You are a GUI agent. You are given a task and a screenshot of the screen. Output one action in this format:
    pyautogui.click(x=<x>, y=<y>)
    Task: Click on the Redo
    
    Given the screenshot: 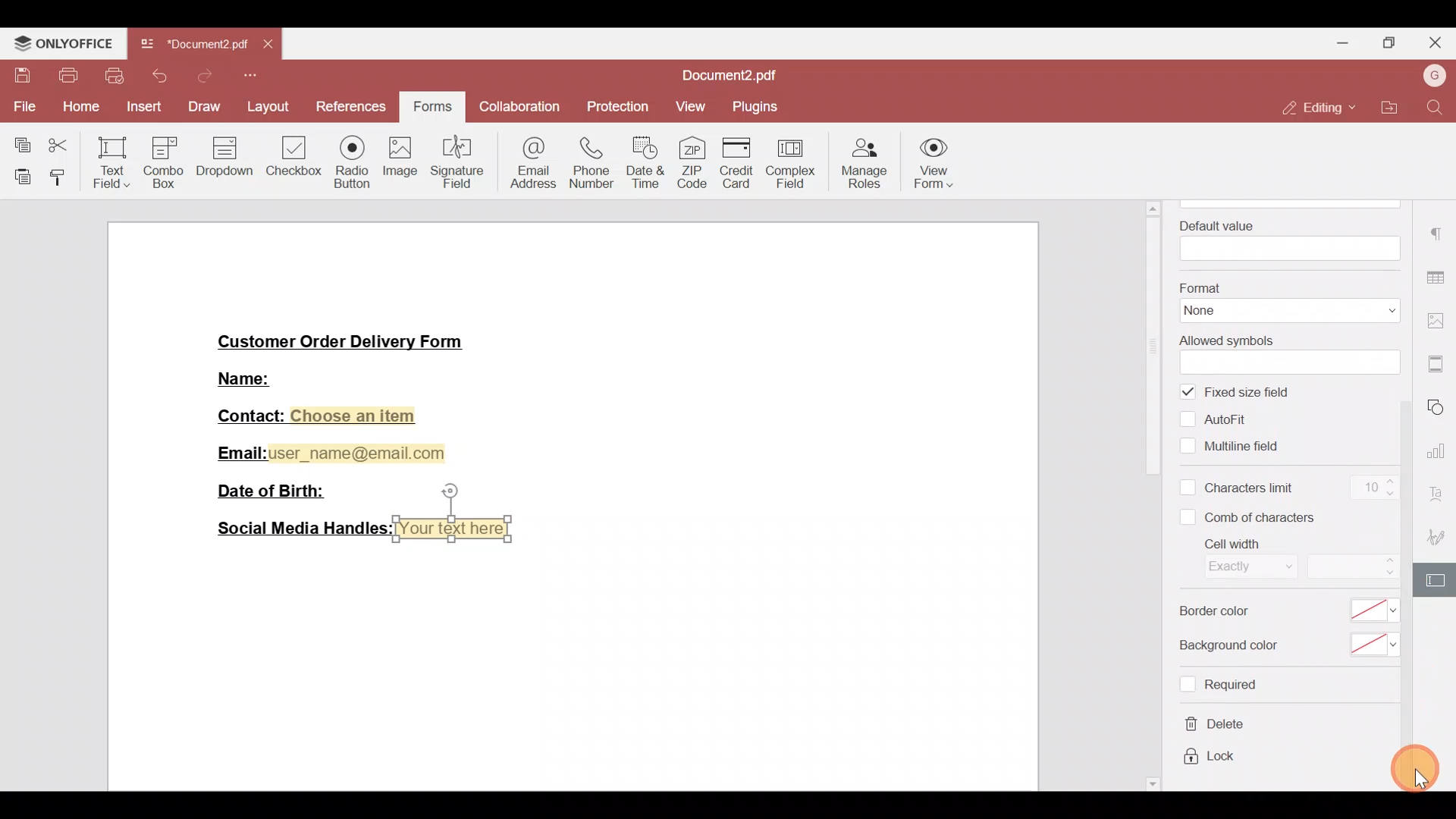 What is the action you would take?
    pyautogui.click(x=202, y=76)
    